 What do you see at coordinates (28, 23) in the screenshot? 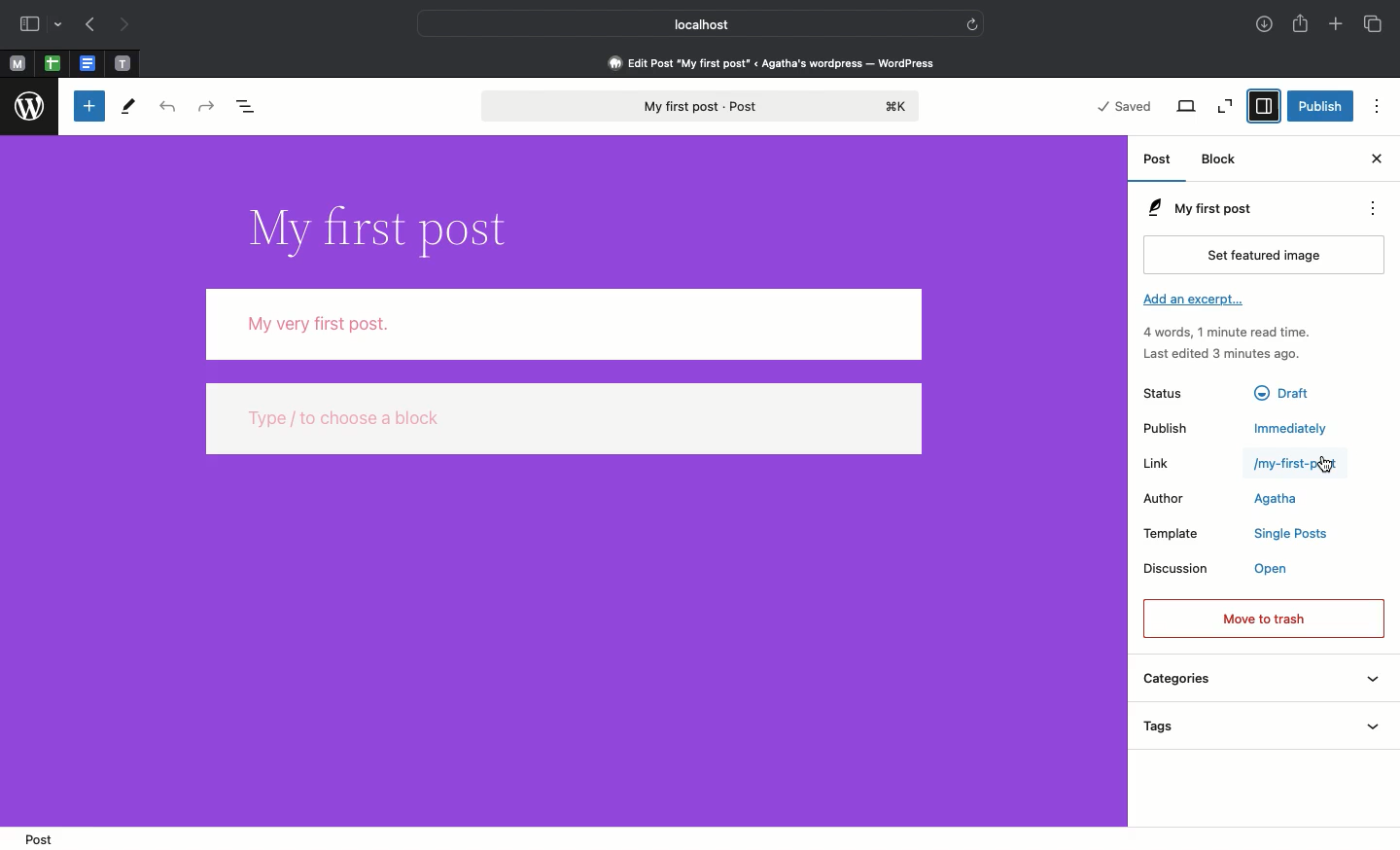
I see `Sidebar` at bounding box center [28, 23].